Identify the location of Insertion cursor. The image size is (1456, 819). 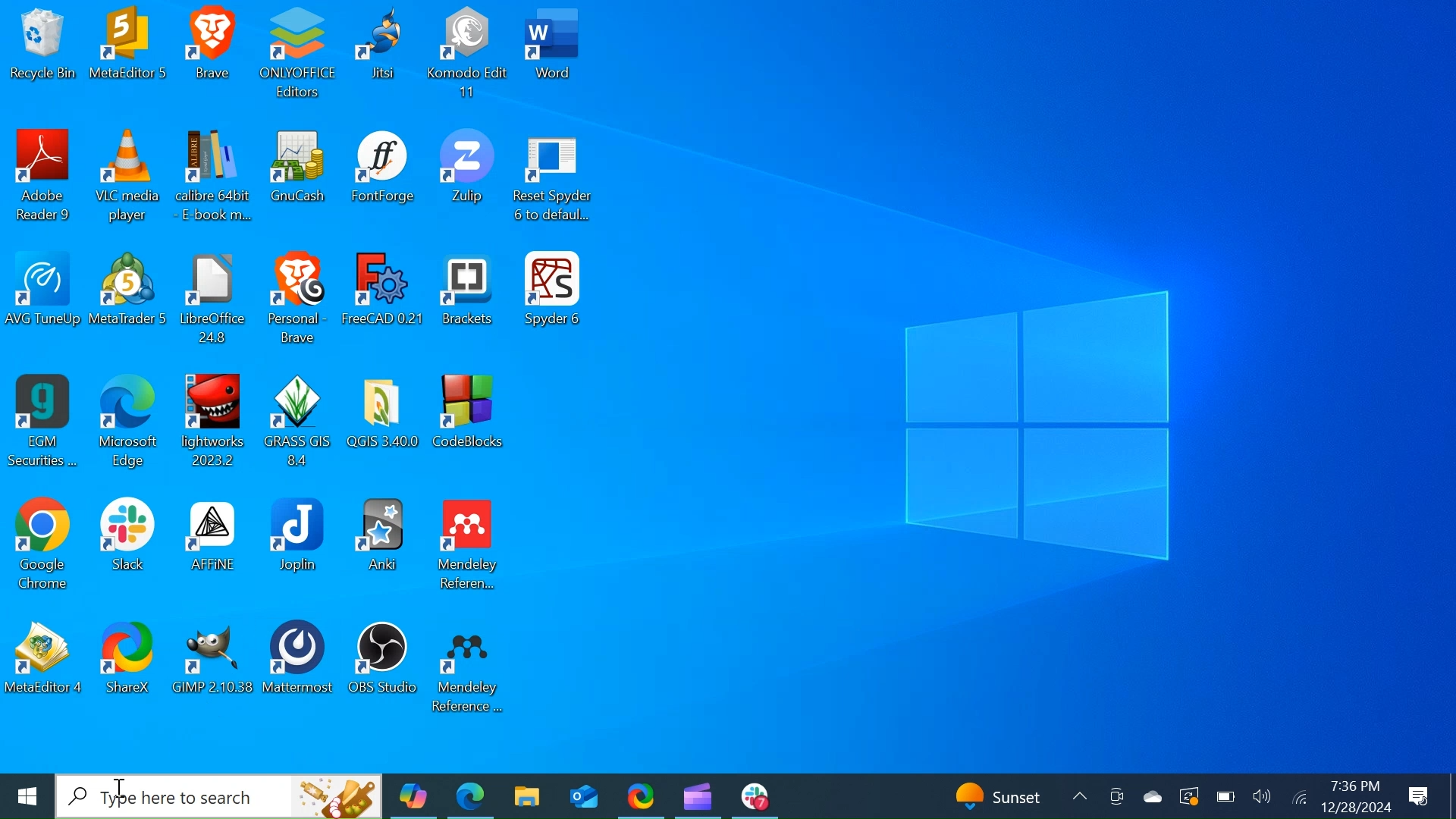
(120, 789).